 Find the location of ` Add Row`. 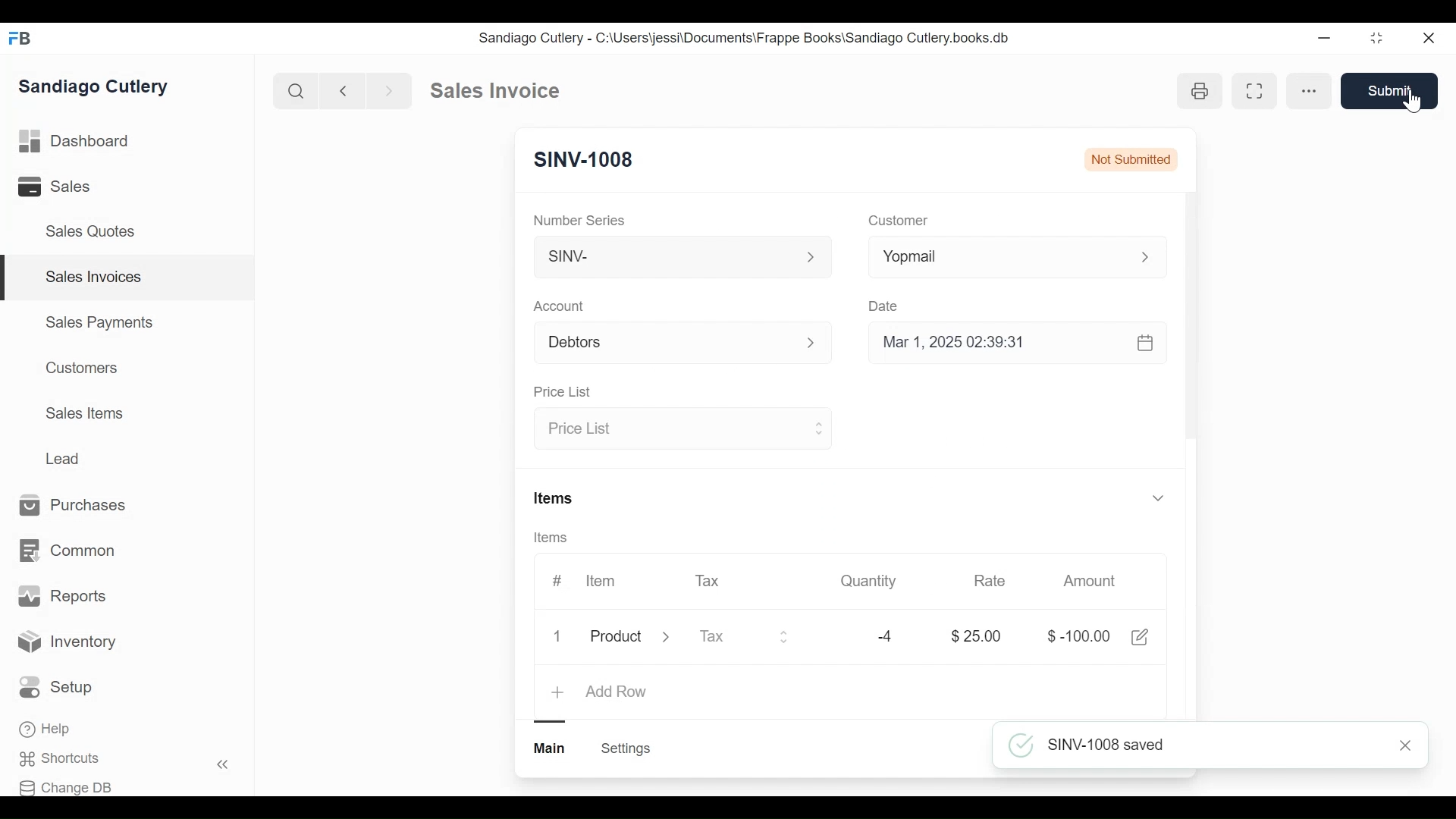

 Add Row is located at coordinates (600, 692).